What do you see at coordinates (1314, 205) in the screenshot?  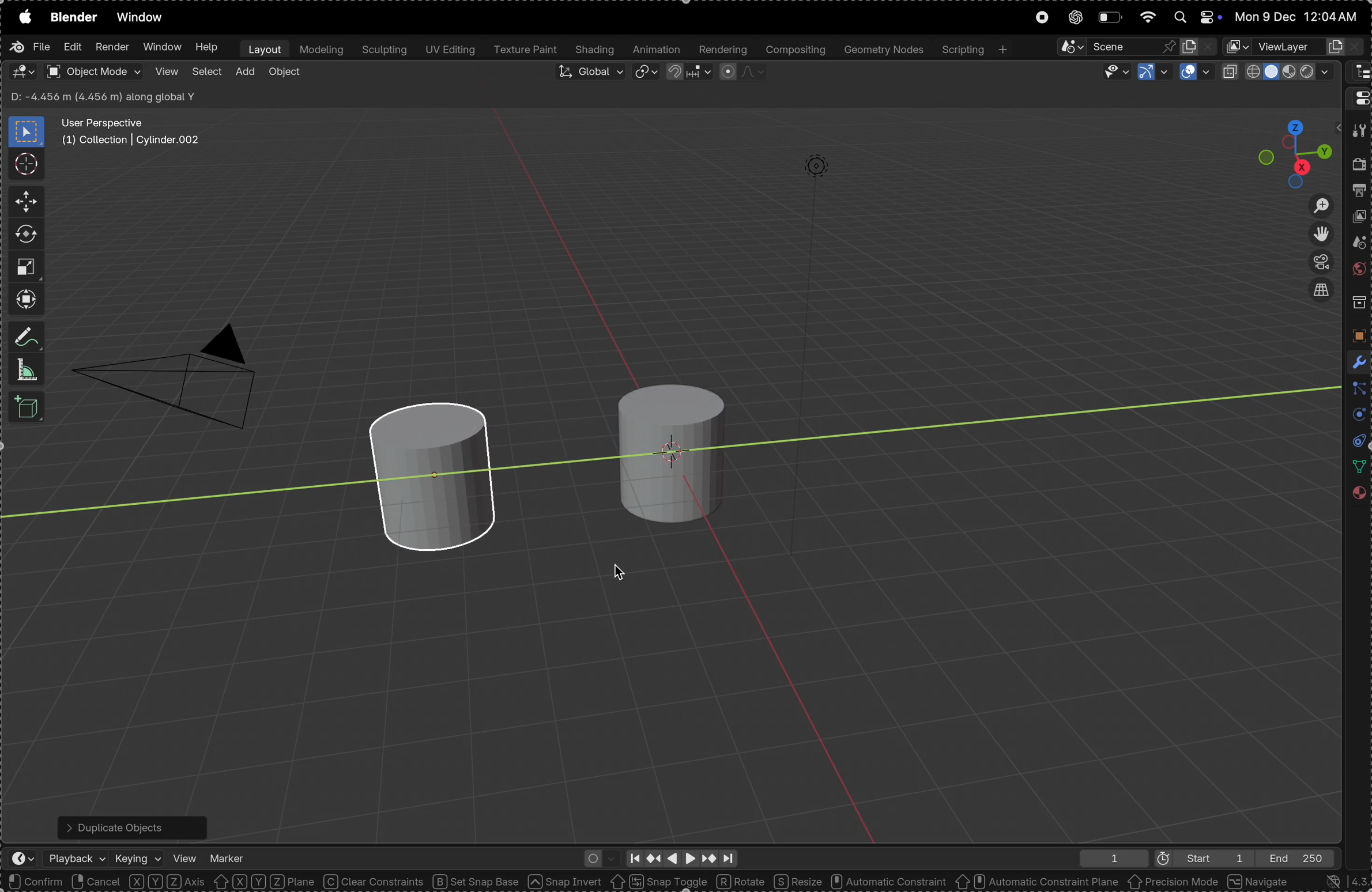 I see `zoom` at bounding box center [1314, 205].